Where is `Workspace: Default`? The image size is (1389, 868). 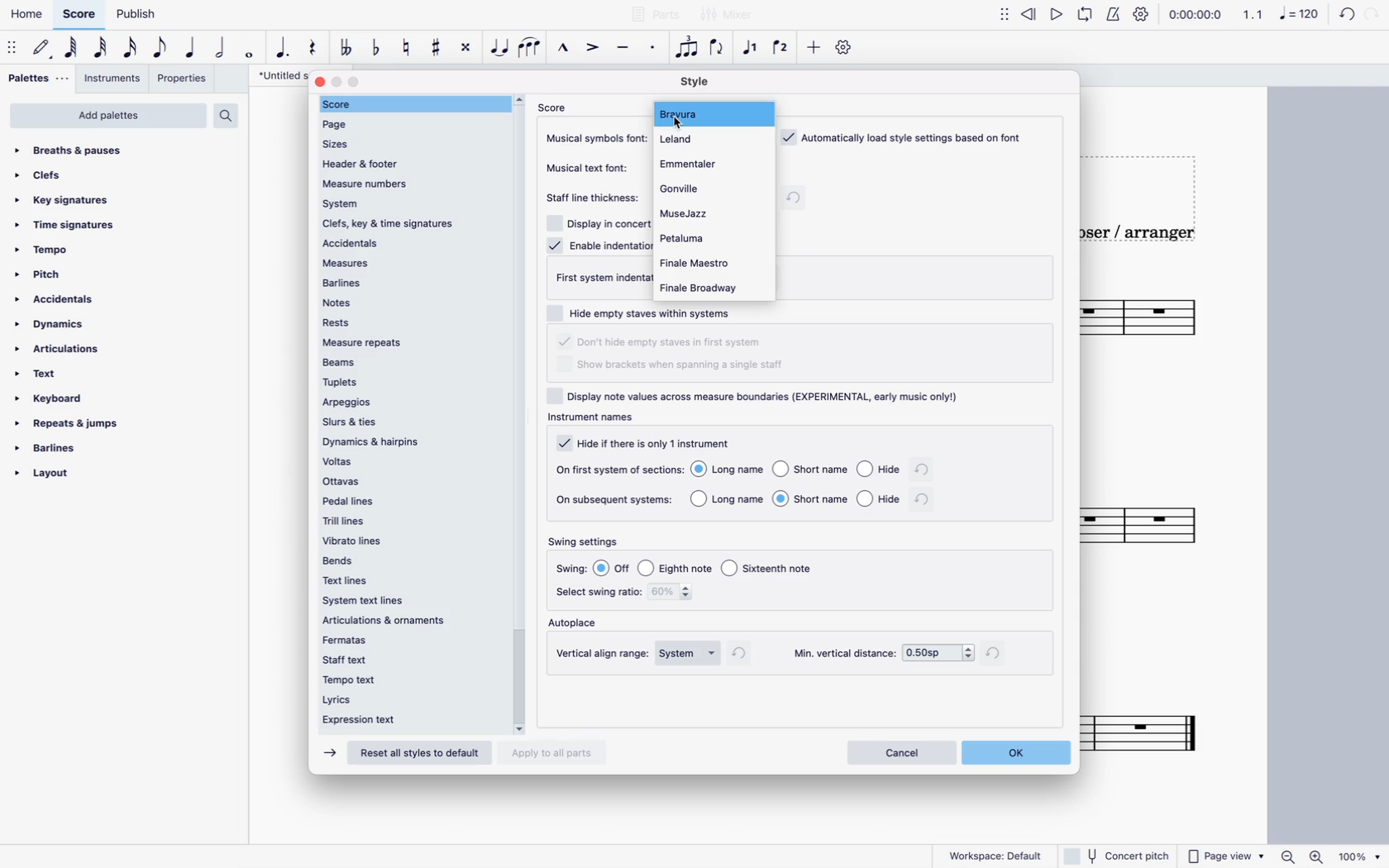 Workspace: Default is located at coordinates (995, 854).